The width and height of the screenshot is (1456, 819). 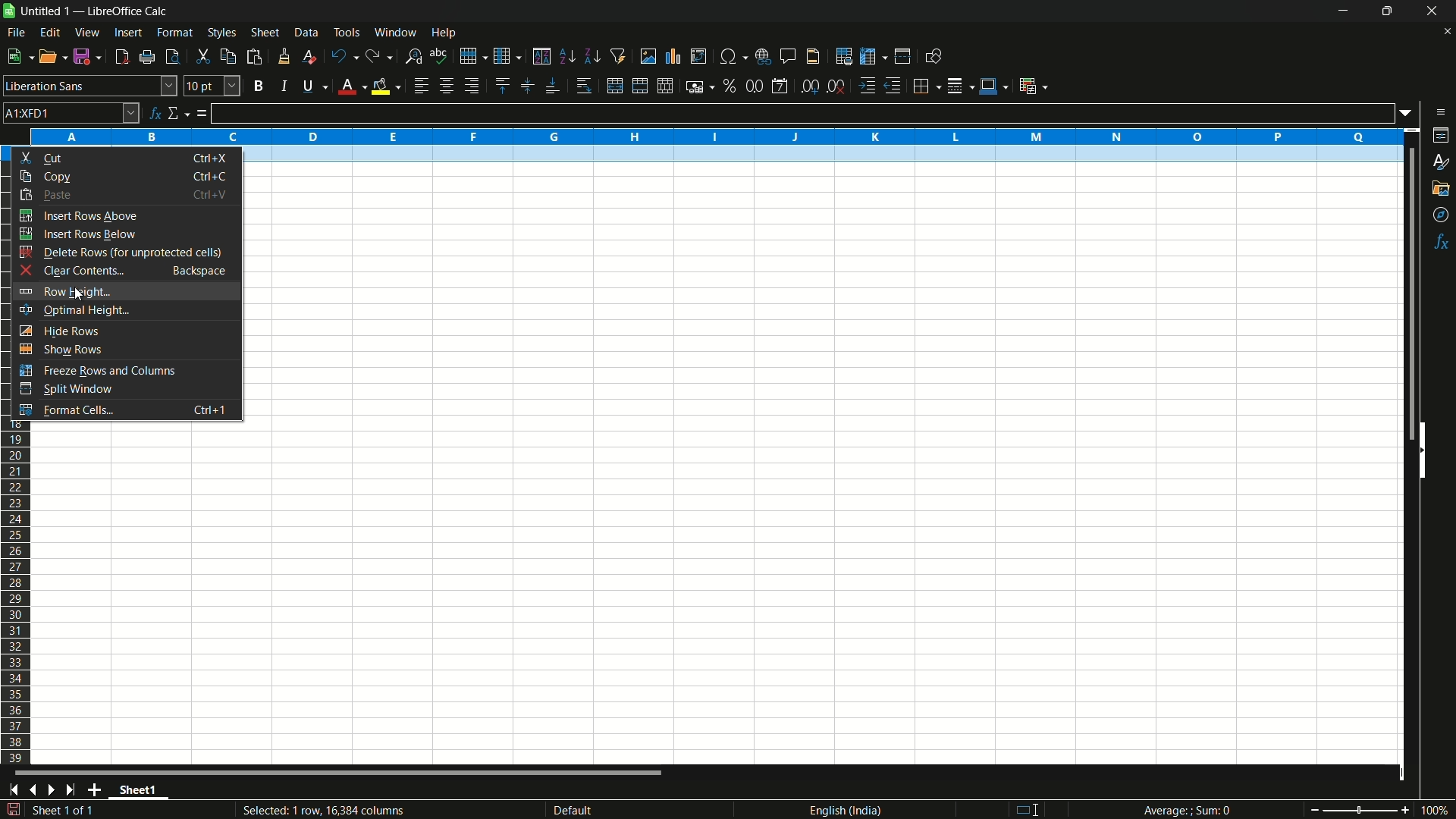 What do you see at coordinates (350, 87) in the screenshot?
I see `font color` at bounding box center [350, 87].